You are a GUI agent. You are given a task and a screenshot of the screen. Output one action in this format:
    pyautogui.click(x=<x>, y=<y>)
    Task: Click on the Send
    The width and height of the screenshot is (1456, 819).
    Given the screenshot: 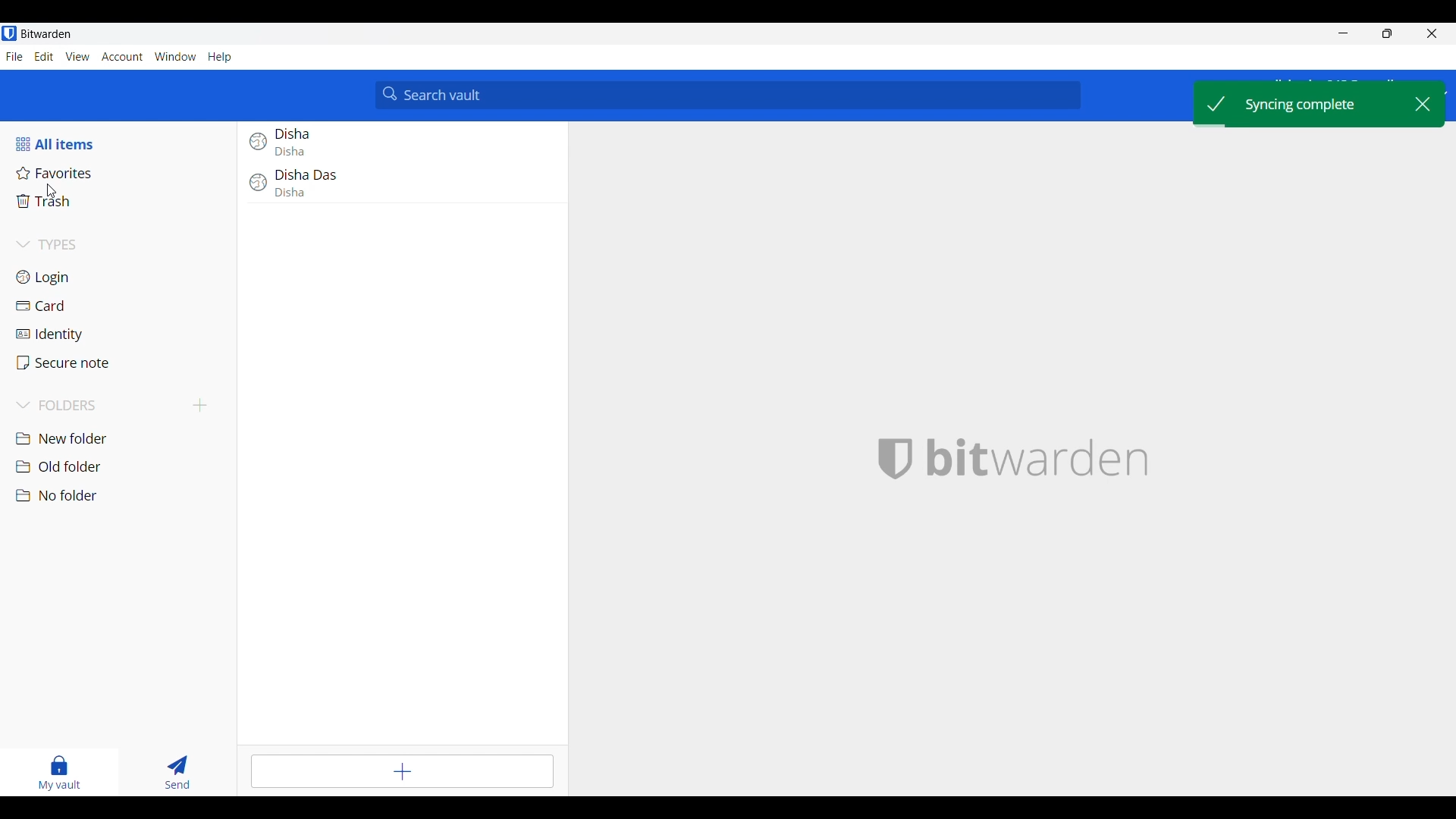 What is the action you would take?
    pyautogui.click(x=177, y=772)
    